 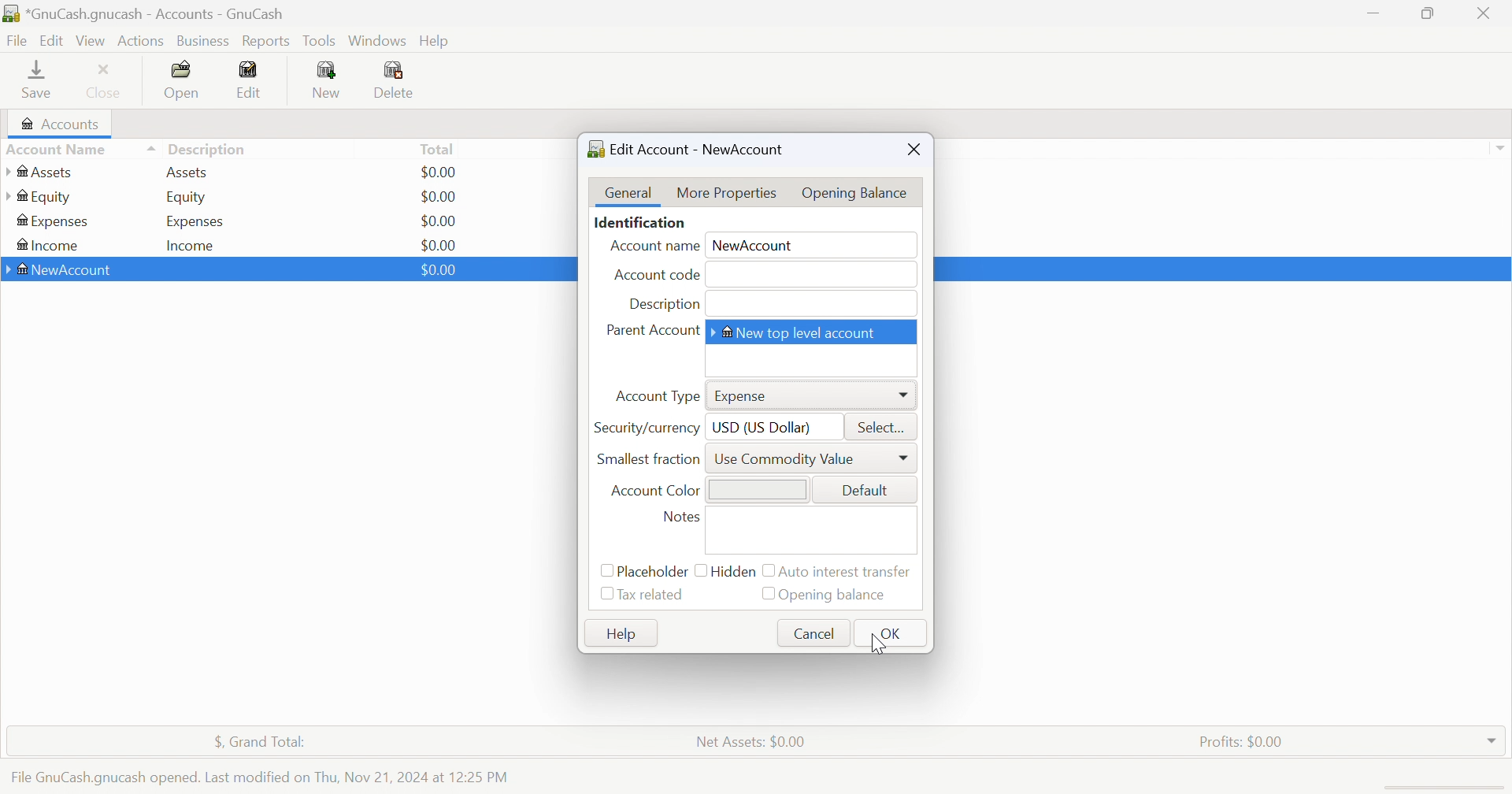 What do you see at coordinates (54, 39) in the screenshot?
I see `Edit` at bounding box center [54, 39].